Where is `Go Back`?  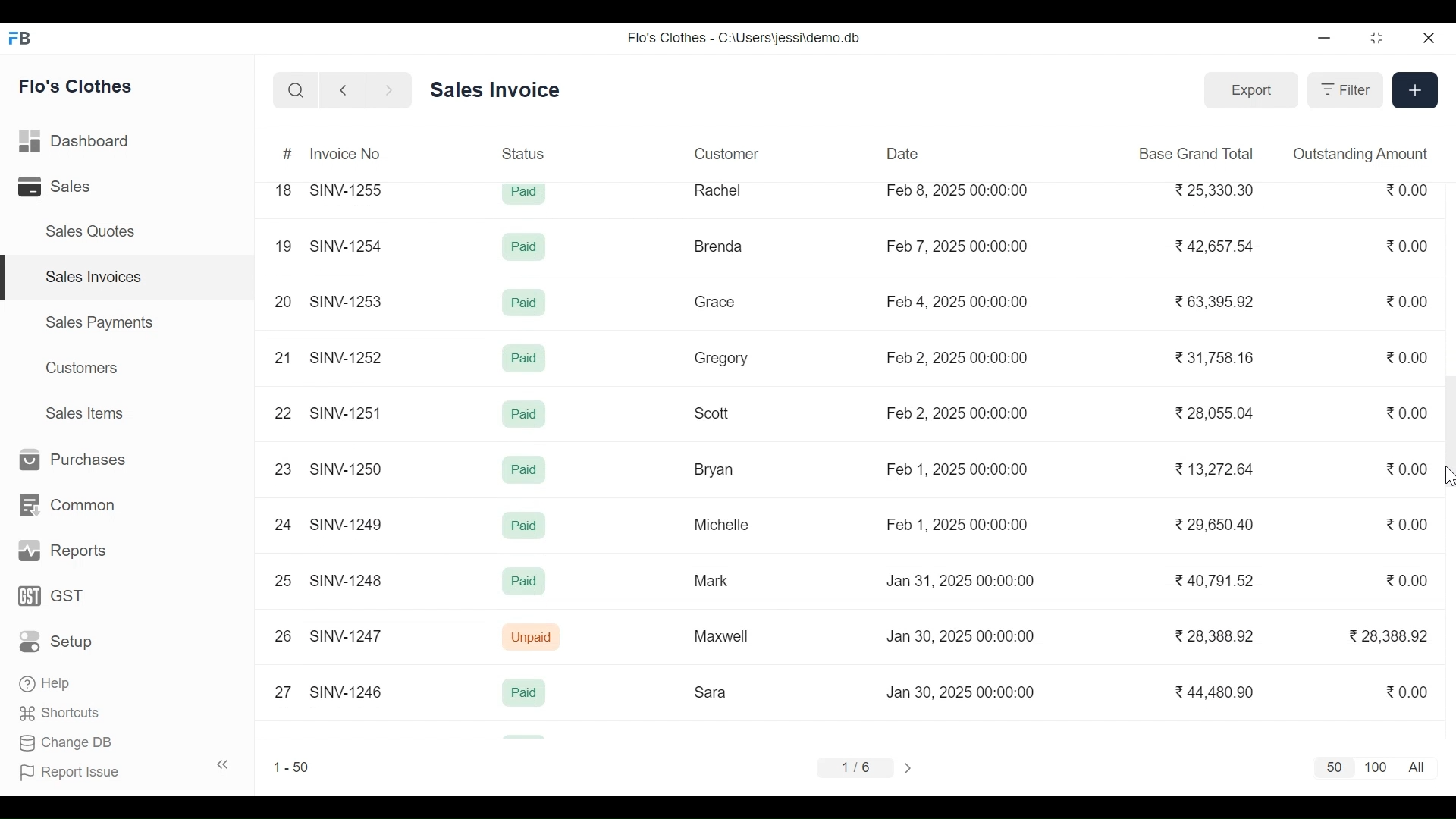 Go Back is located at coordinates (343, 91).